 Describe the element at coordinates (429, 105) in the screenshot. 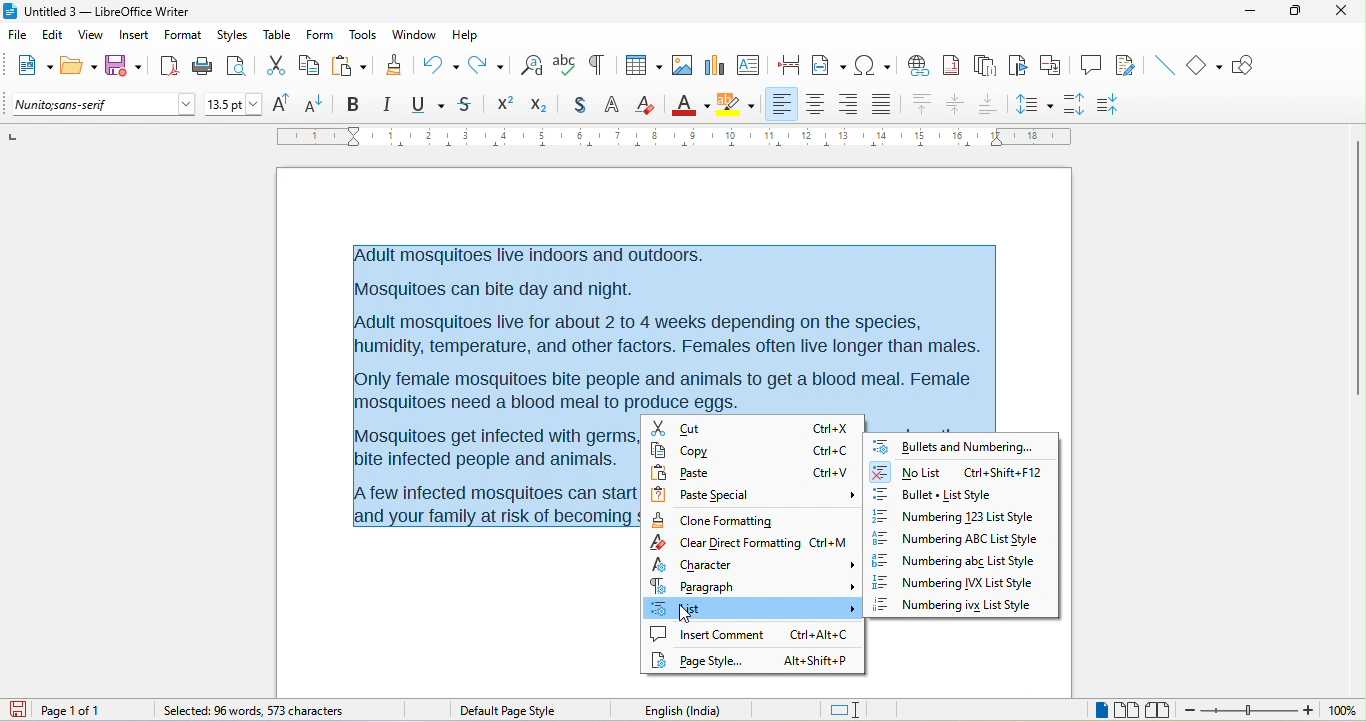

I see `underline` at that location.